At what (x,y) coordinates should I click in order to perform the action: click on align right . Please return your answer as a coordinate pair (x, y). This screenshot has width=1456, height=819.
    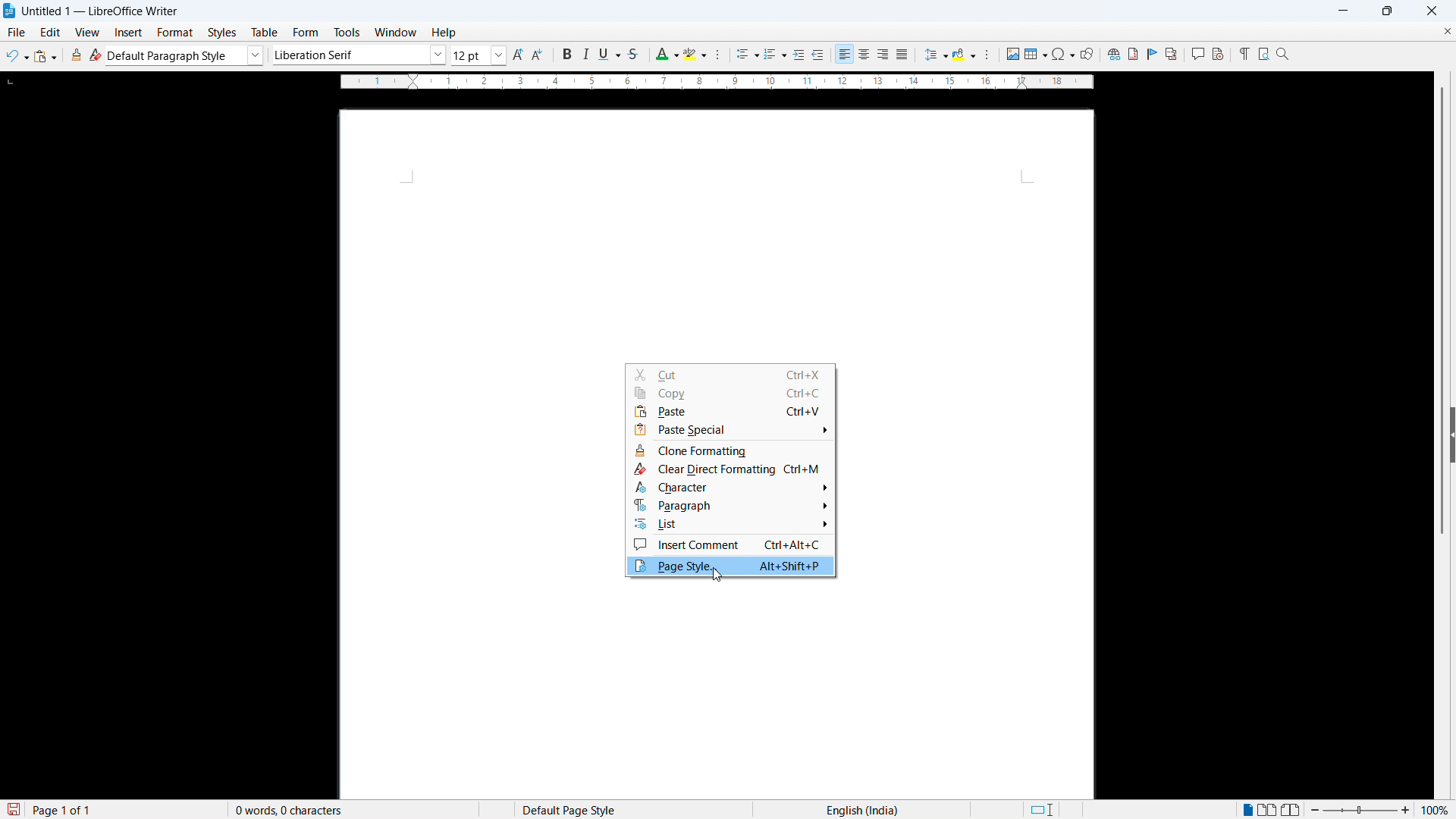
    Looking at the image, I should click on (883, 55).